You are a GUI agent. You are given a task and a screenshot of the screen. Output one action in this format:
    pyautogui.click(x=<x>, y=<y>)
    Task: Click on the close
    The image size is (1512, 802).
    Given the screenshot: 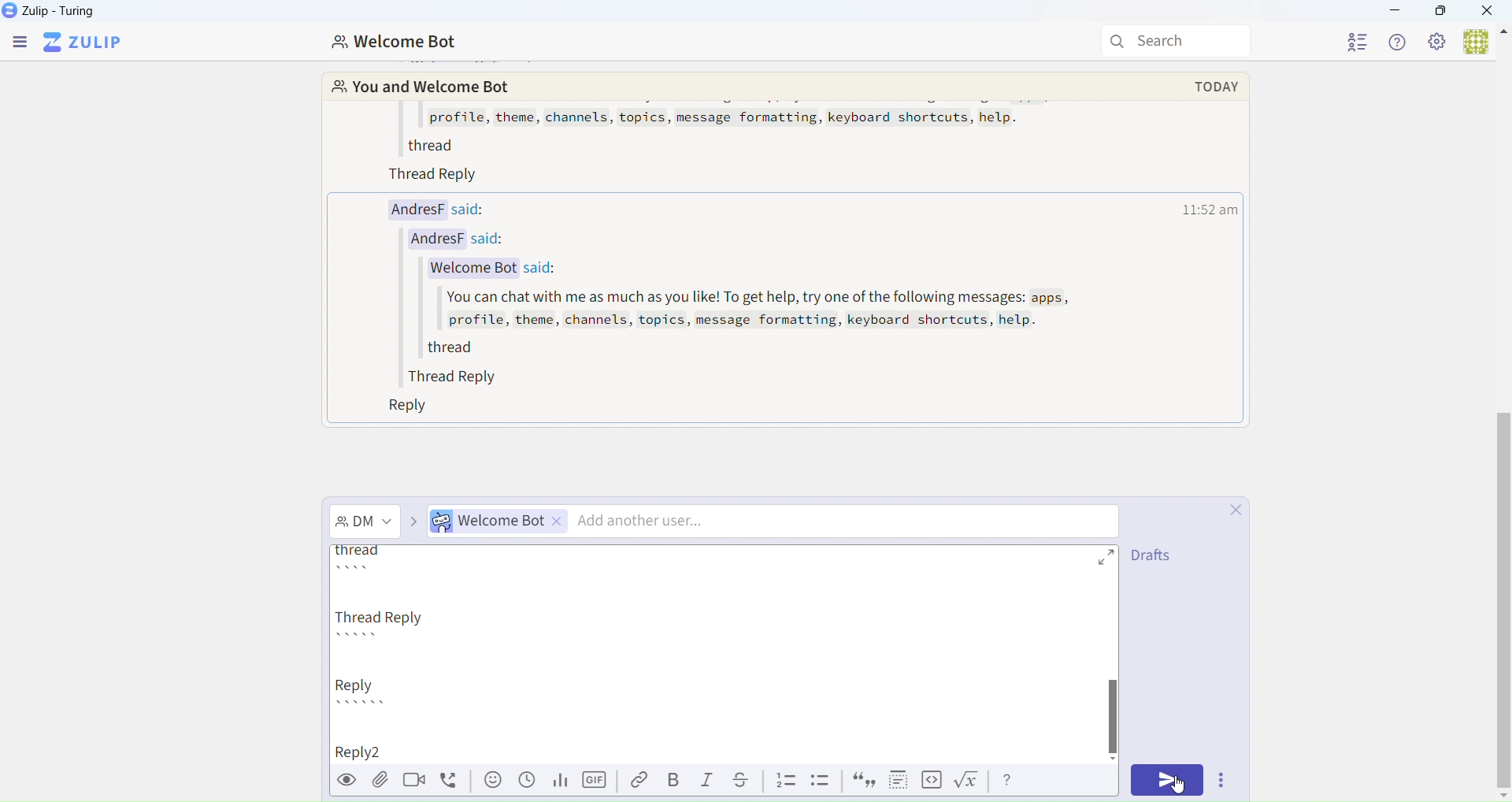 What is the action you would take?
    pyautogui.click(x=1232, y=509)
    